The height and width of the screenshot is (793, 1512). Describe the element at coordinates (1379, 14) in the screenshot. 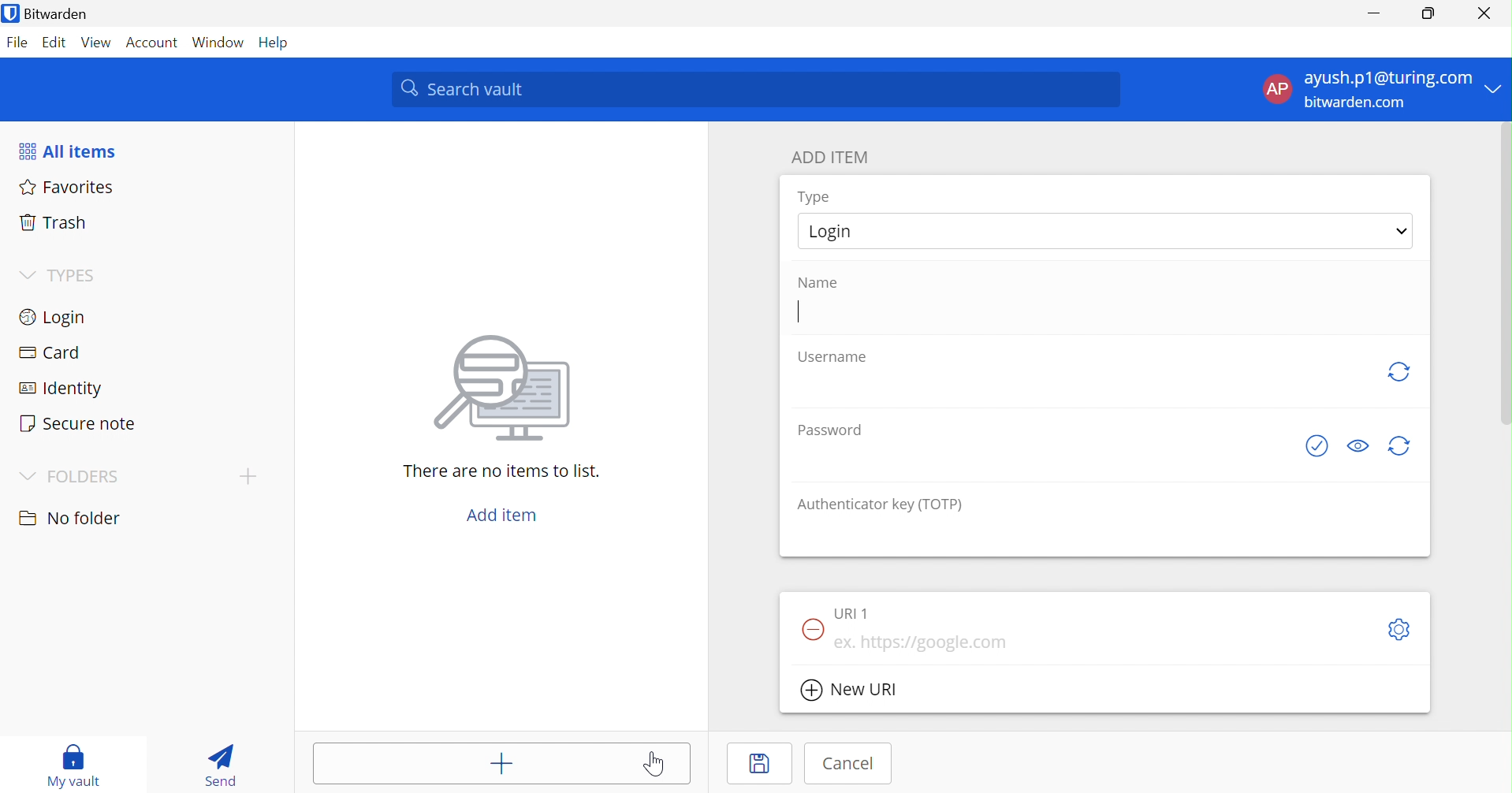

I see `Minimize` at that location.